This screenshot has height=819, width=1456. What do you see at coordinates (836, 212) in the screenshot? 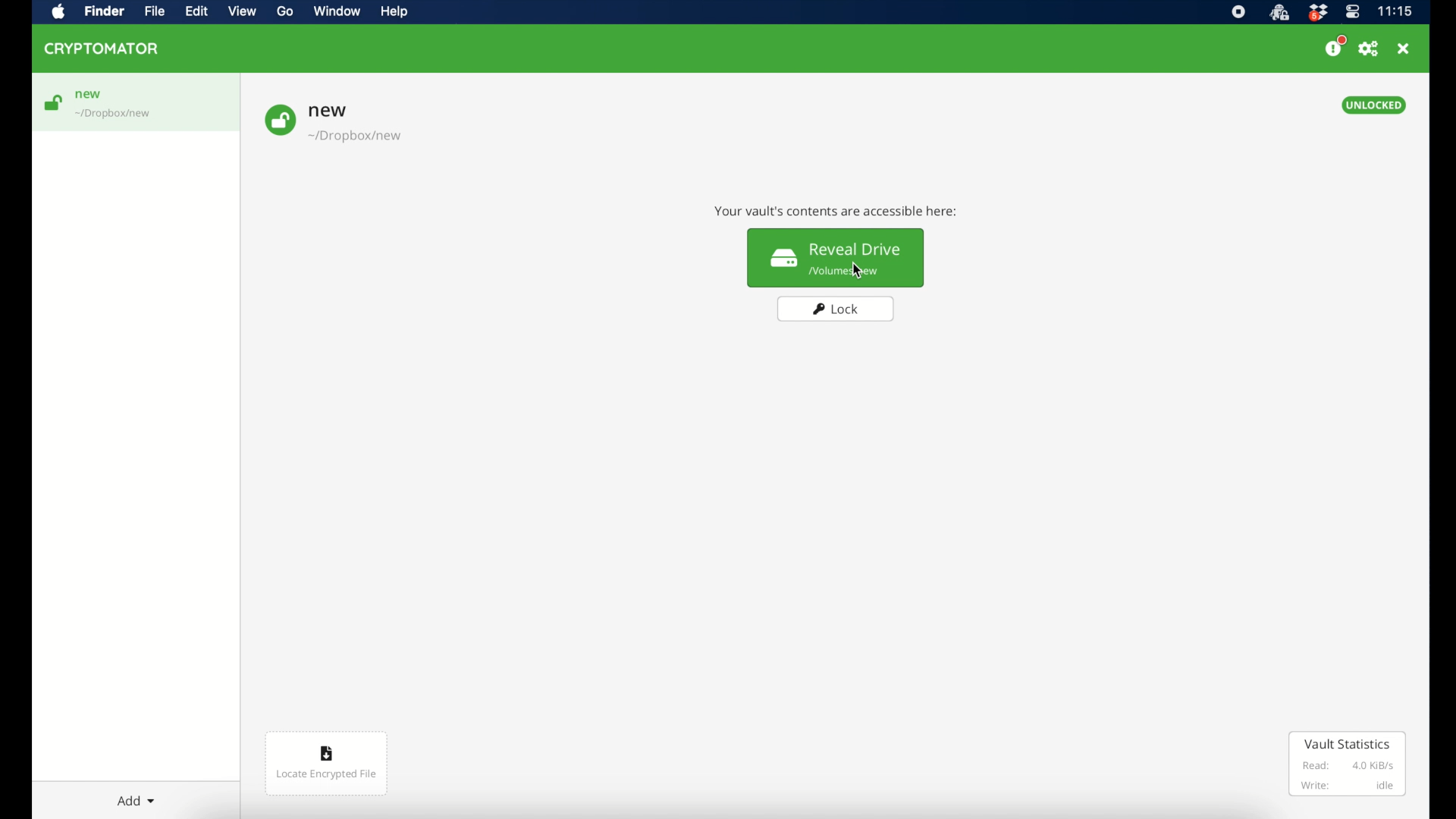
I see `info` at bounding box center [836, 212].